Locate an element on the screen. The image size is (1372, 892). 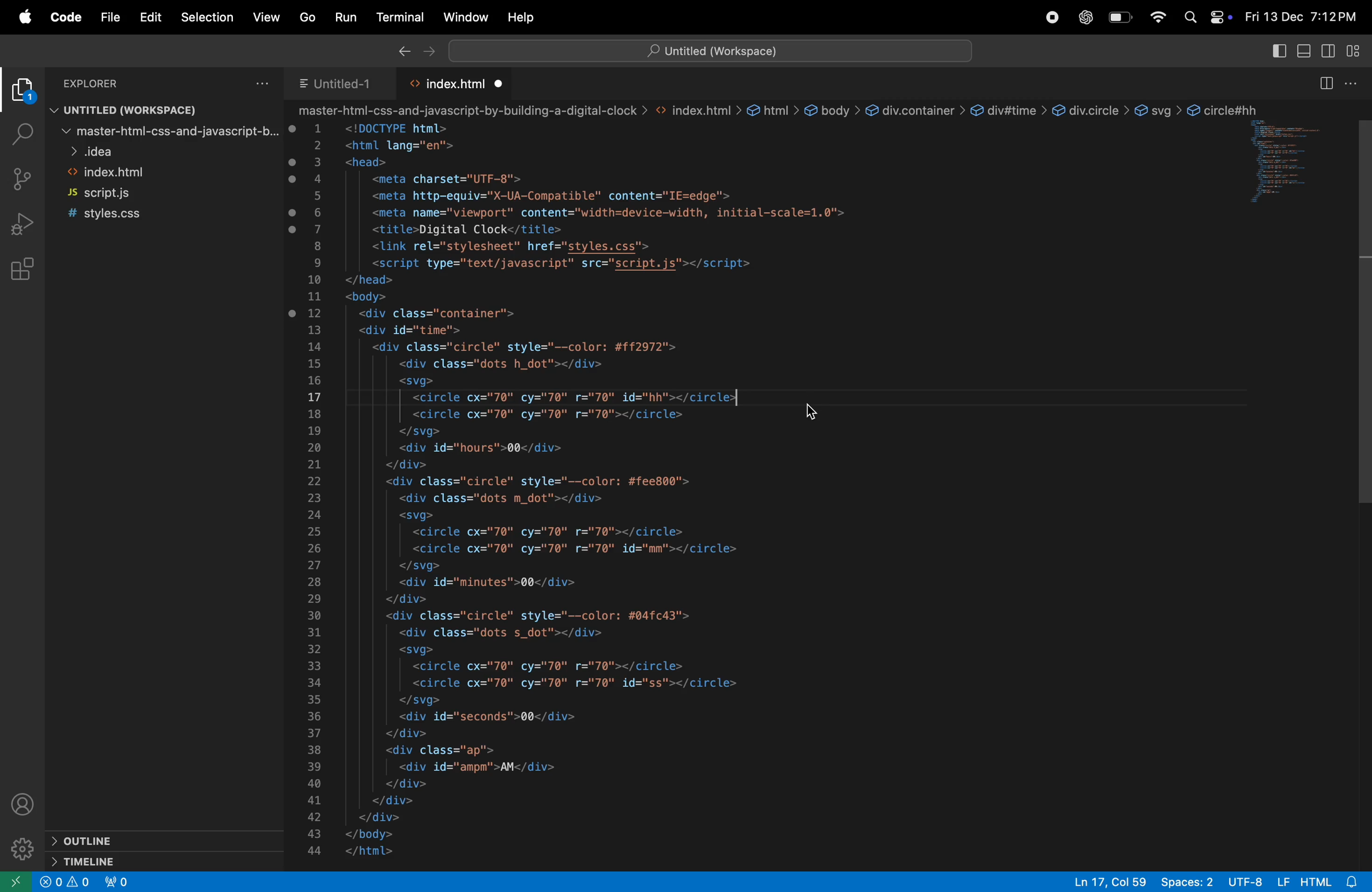
line 21 col 13 is located at coordinates (1111, 880).